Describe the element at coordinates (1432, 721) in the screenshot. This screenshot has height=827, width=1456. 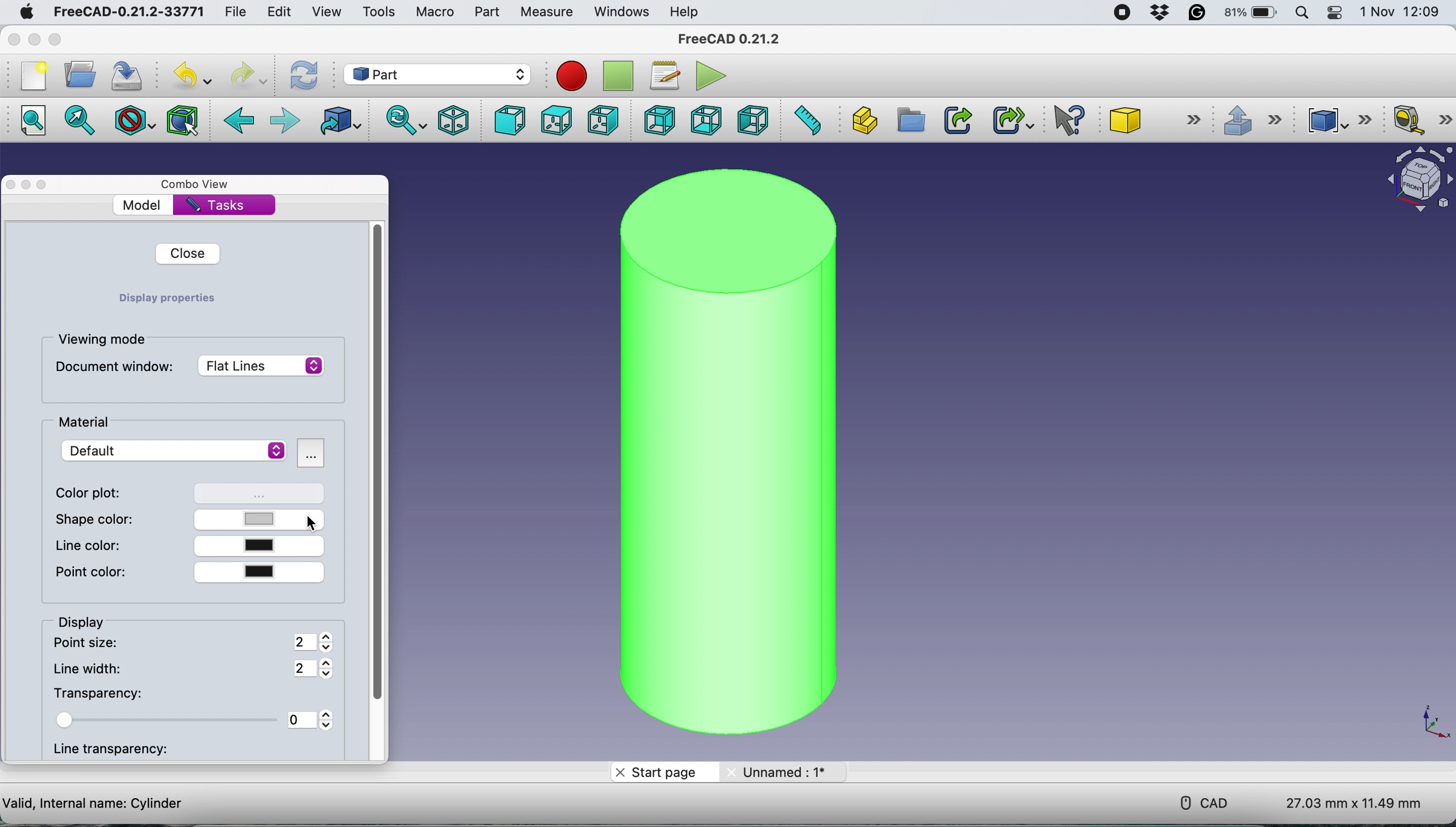
I see `xy coordinate` at that location.